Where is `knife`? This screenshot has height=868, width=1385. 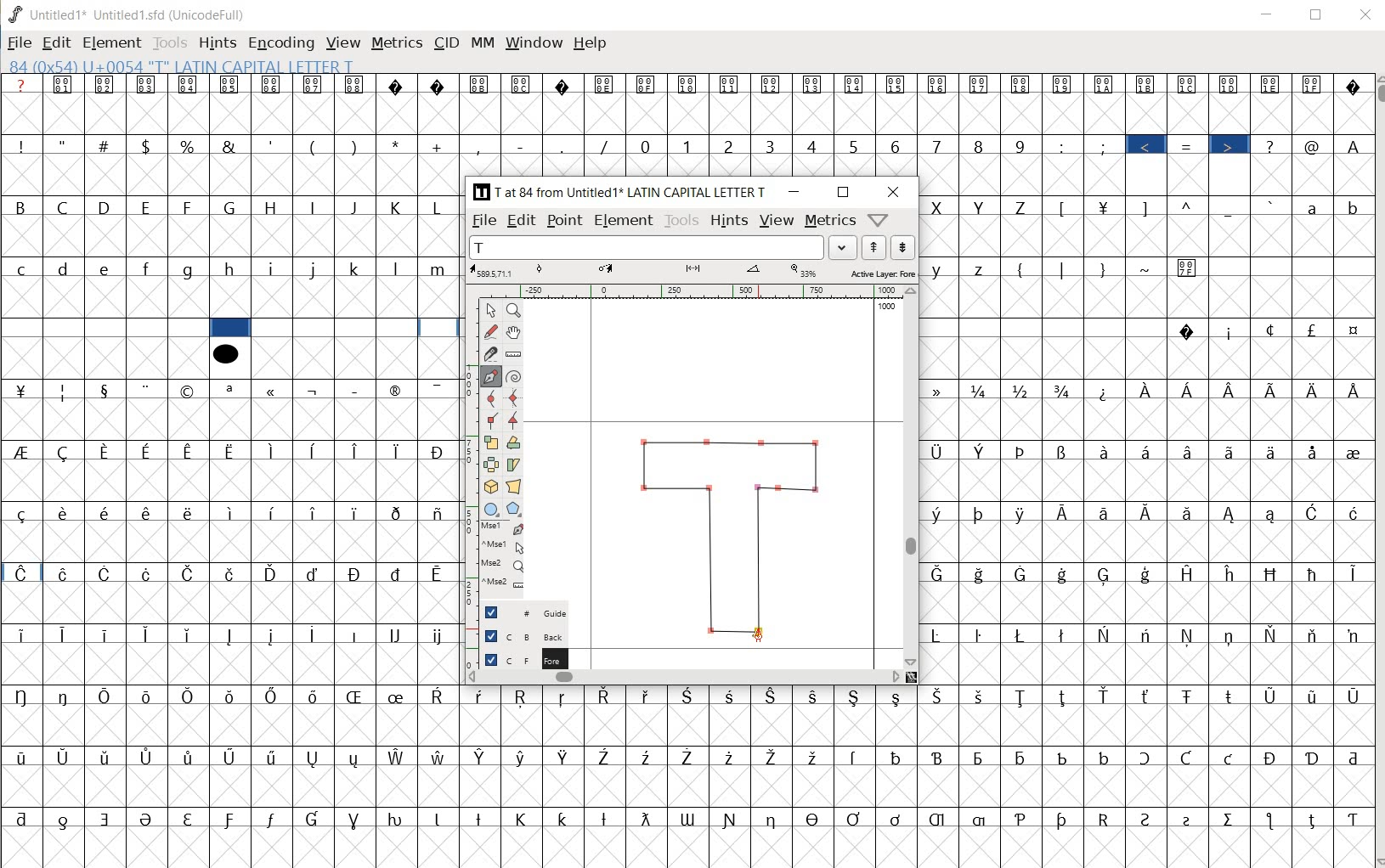 knife is located at coordinates (491, 352).